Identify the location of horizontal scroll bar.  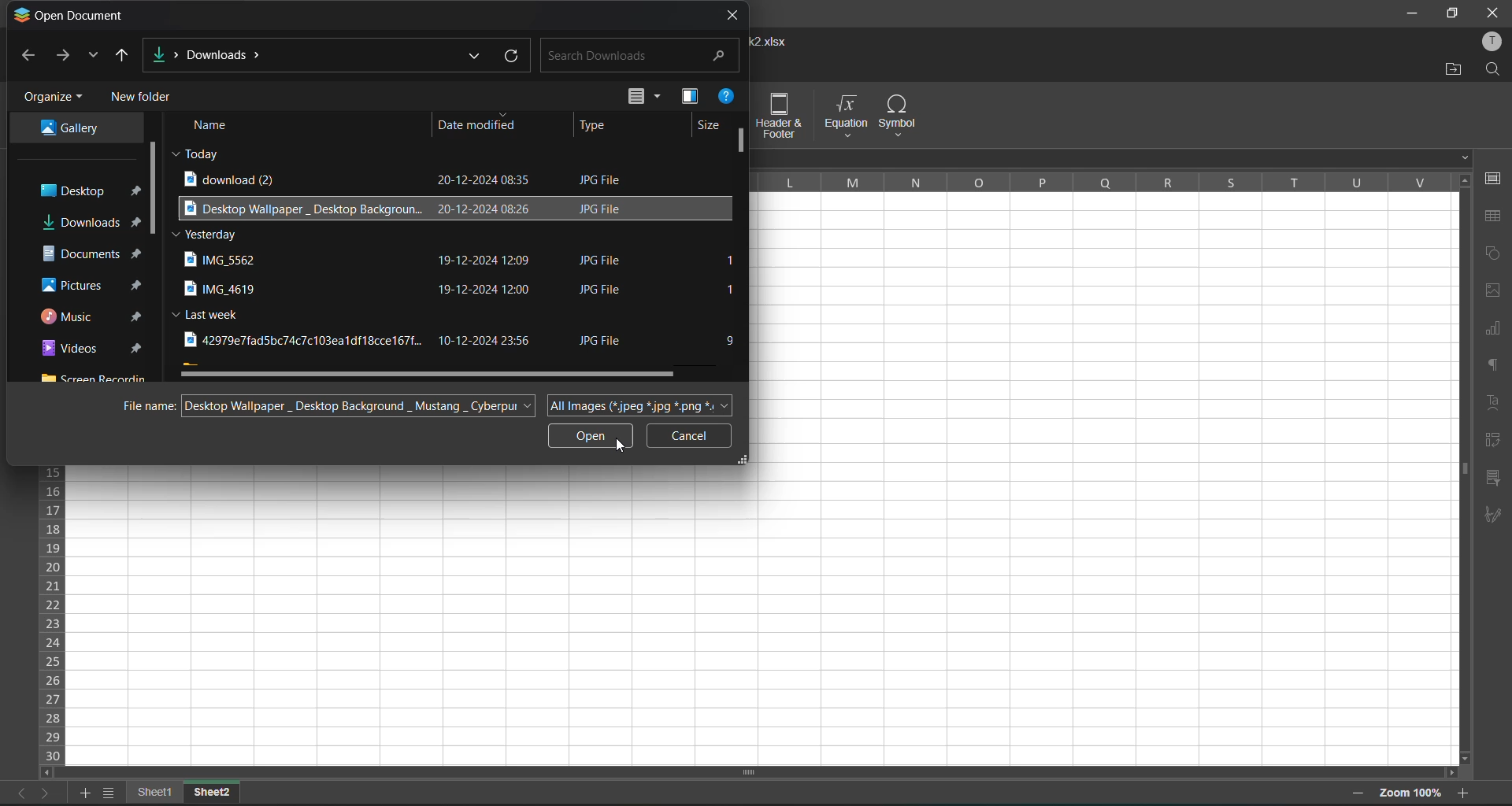
(436, 374).